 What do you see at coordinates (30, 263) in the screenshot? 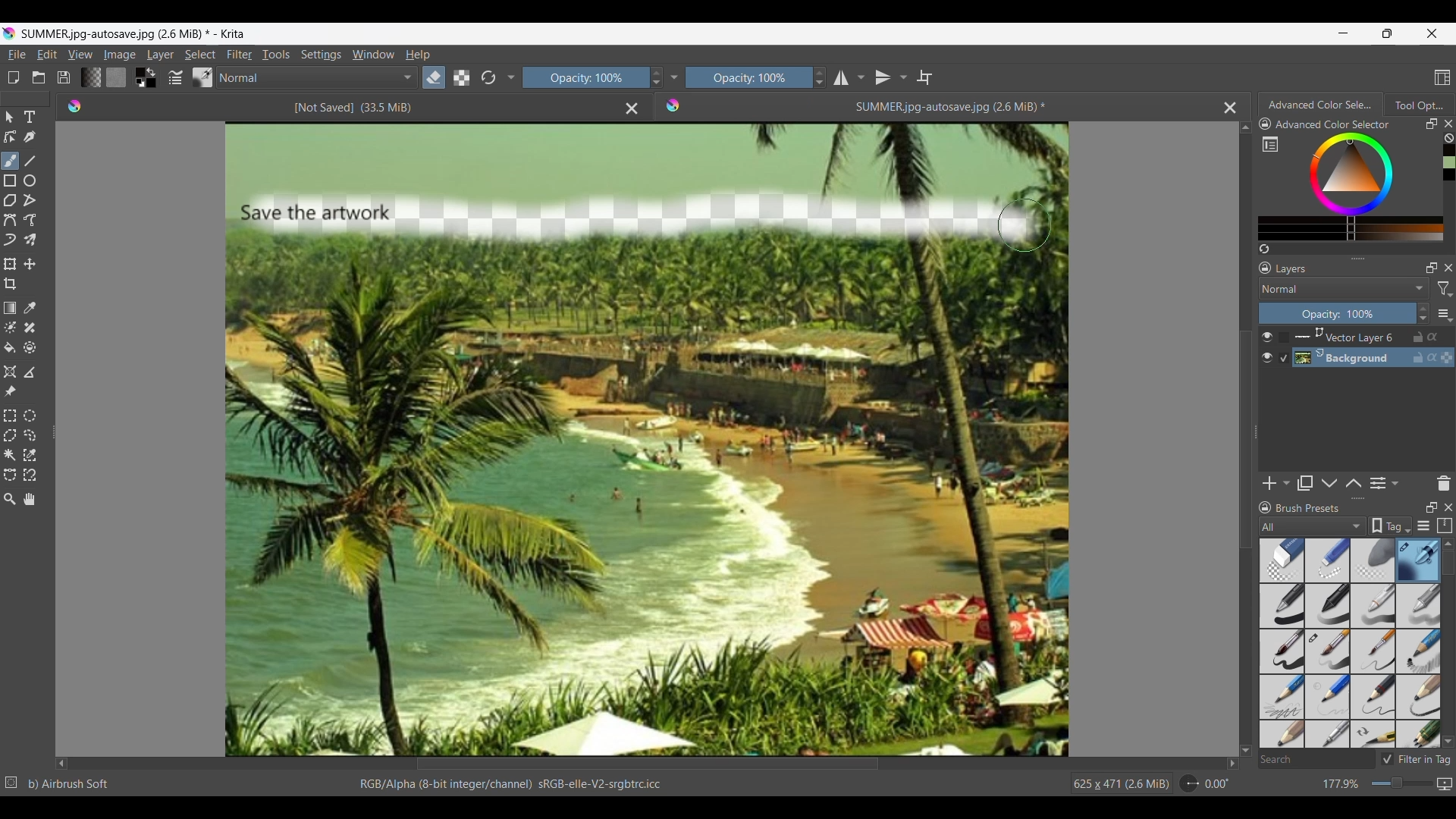
I see `Move a layer` at bounding box center [30, 263].